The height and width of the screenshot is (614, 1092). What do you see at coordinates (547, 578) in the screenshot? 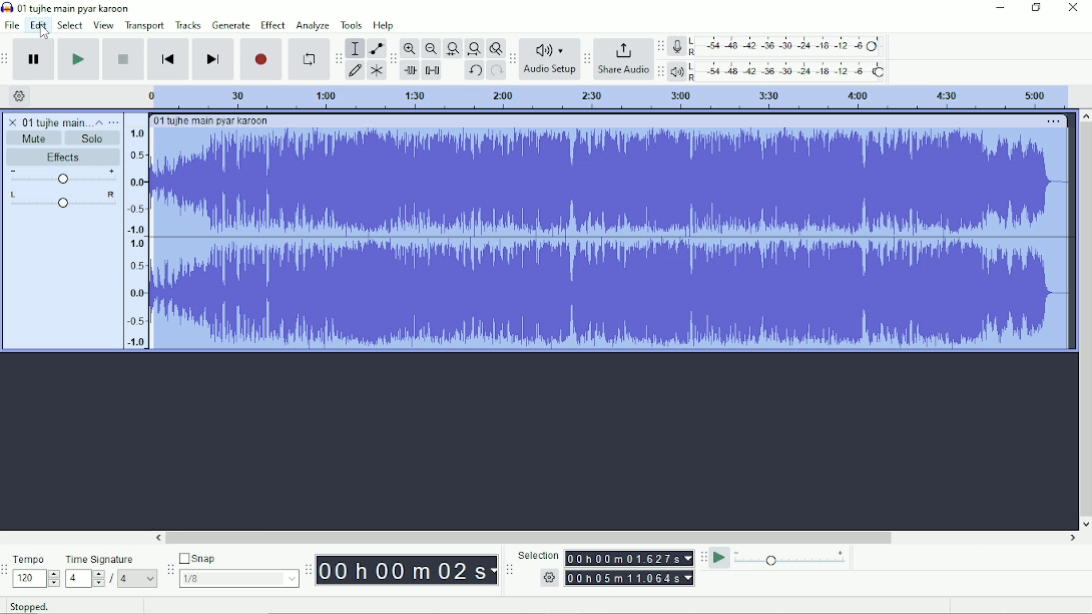
I see `` at bounding box center [547, 578].